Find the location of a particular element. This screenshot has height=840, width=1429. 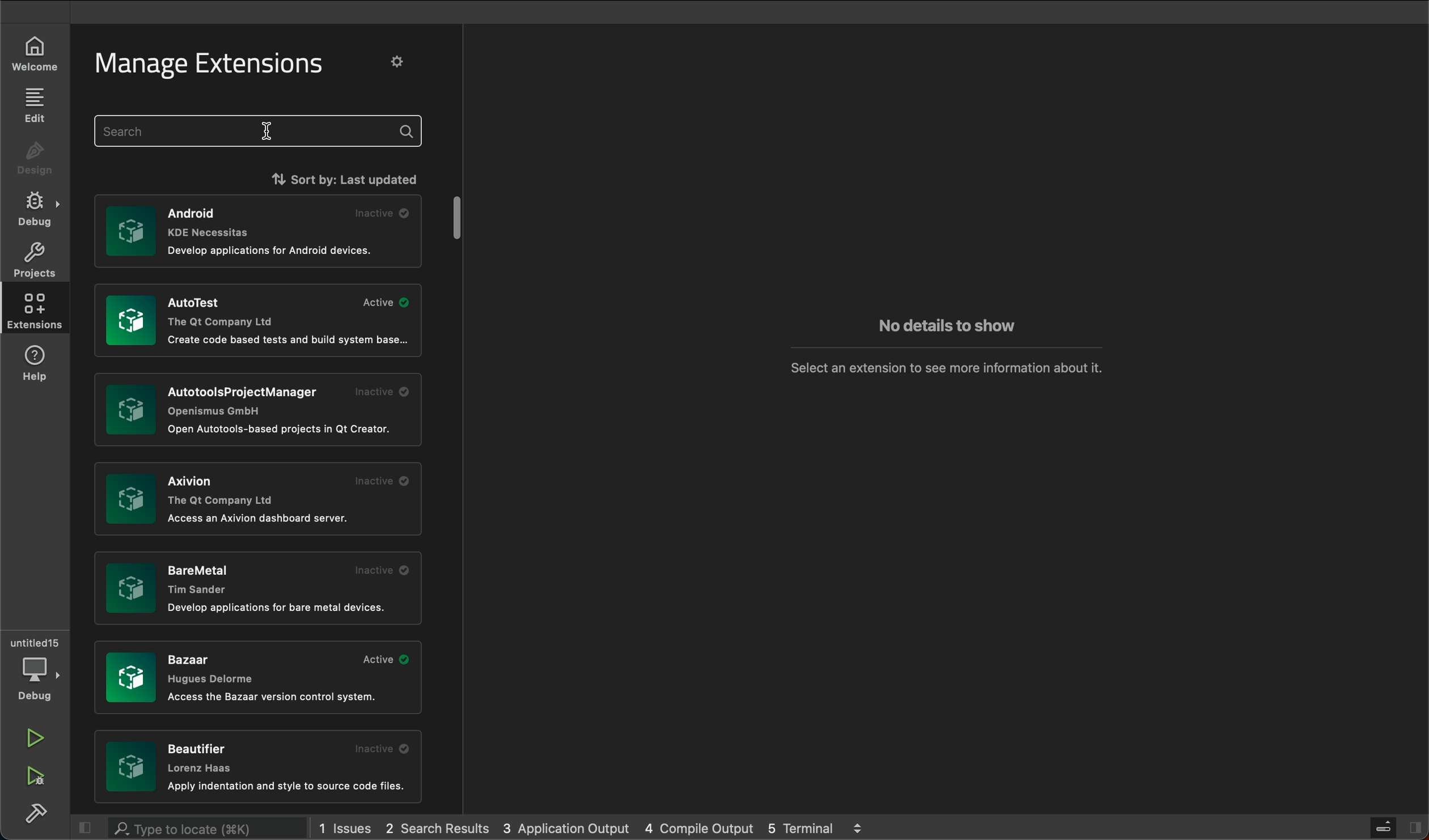

image is located at coordinates (132, 500).